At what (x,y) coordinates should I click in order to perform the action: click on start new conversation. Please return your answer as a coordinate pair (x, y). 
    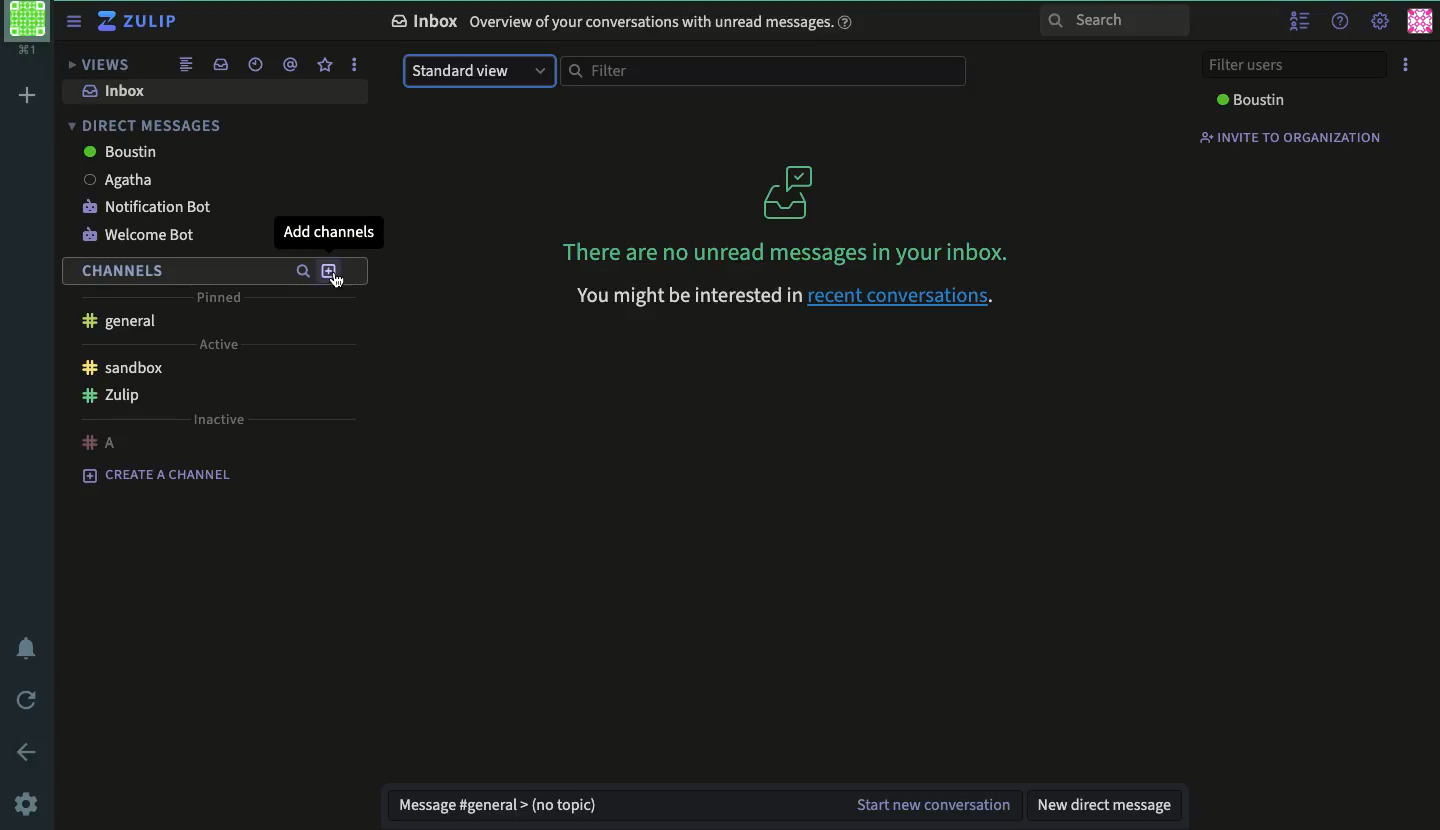
    Looking at the image, I should click on (937, 805).